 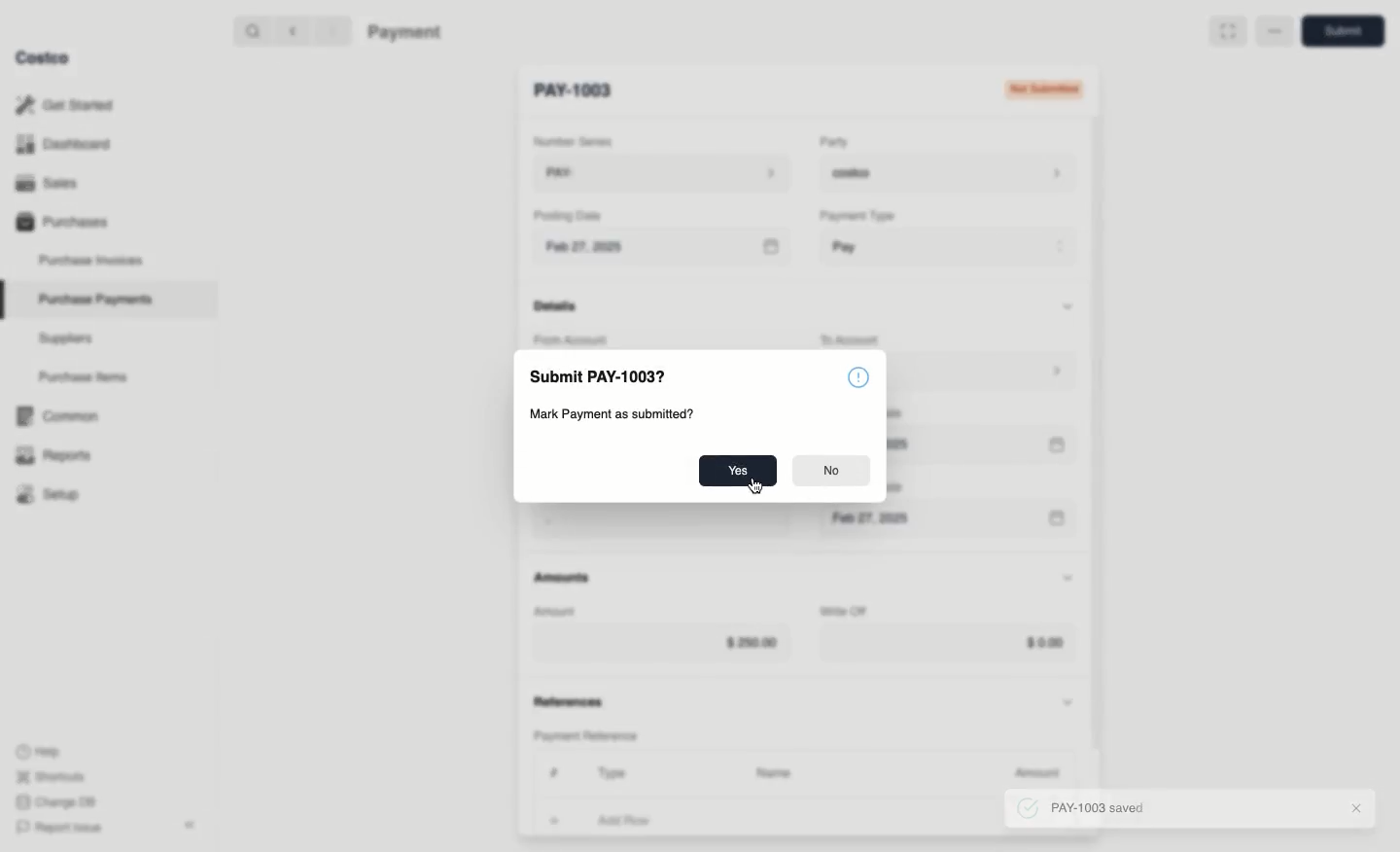 I want to click on Purchase Payments, so click(x=94, y=298).